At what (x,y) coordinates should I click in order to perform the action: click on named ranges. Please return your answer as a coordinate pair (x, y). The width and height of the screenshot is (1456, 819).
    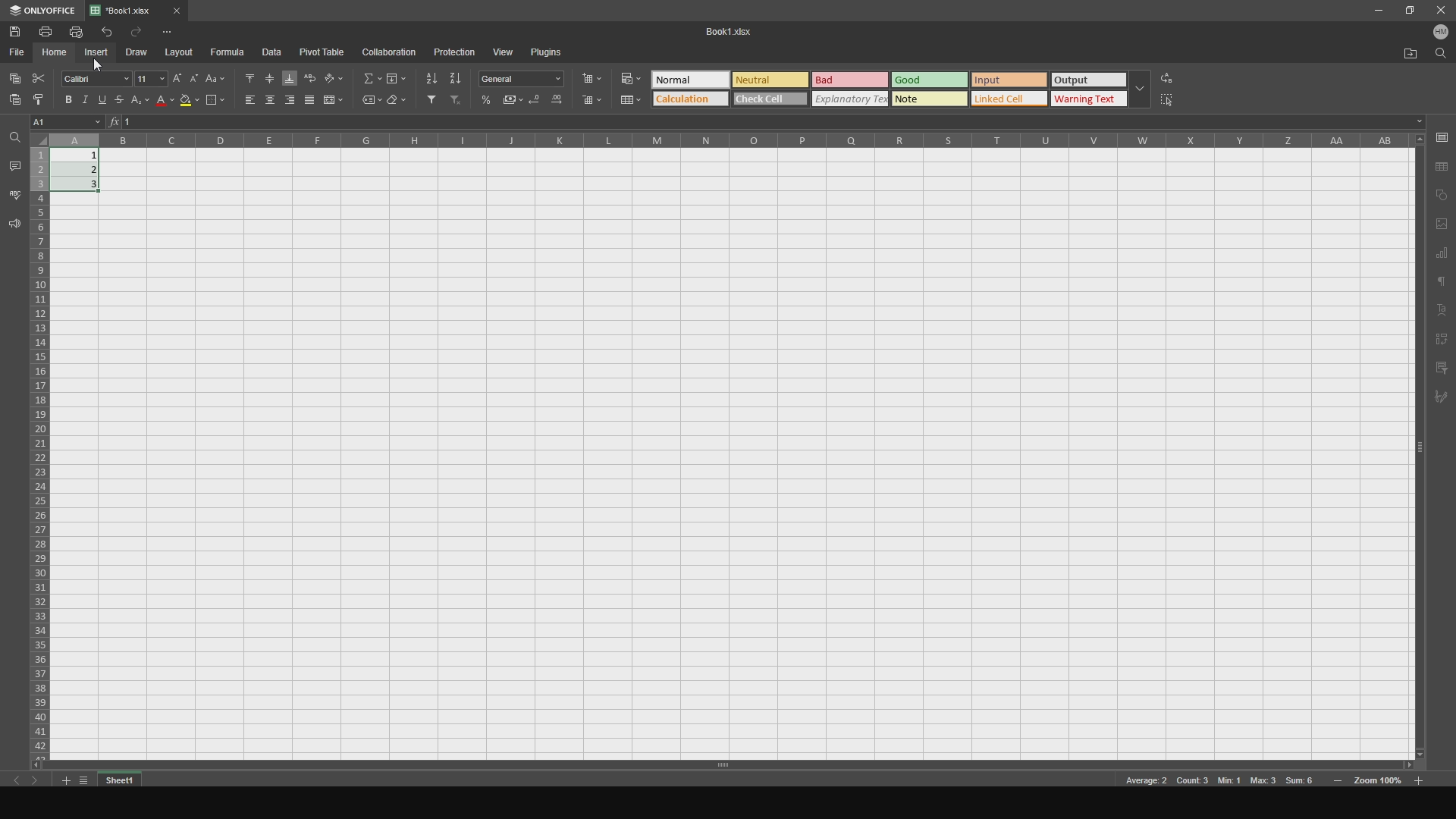
    Looking at the image, I should click on (366, 101).